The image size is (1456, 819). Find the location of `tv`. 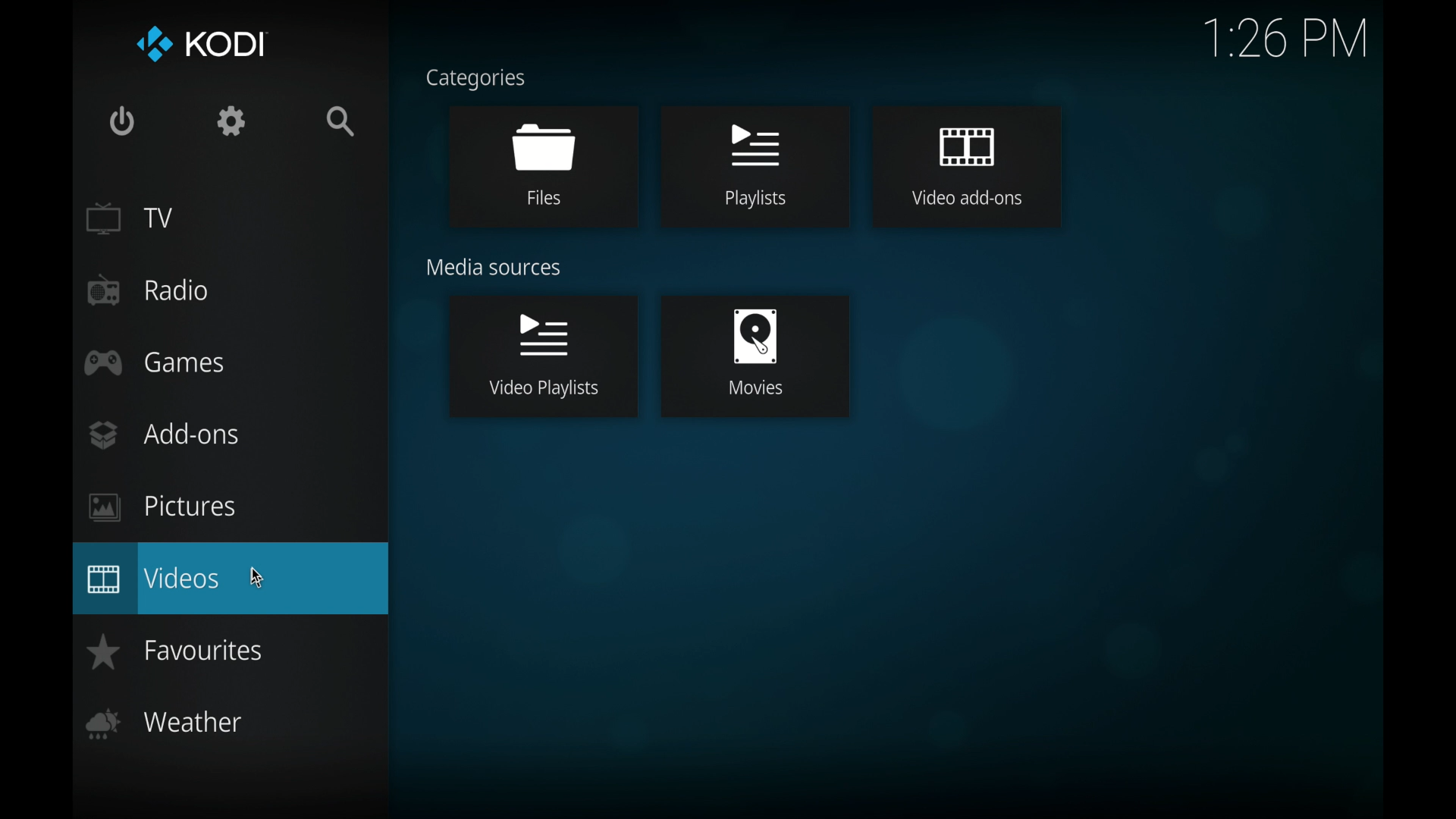

tv is located at coordinates (131, 218).